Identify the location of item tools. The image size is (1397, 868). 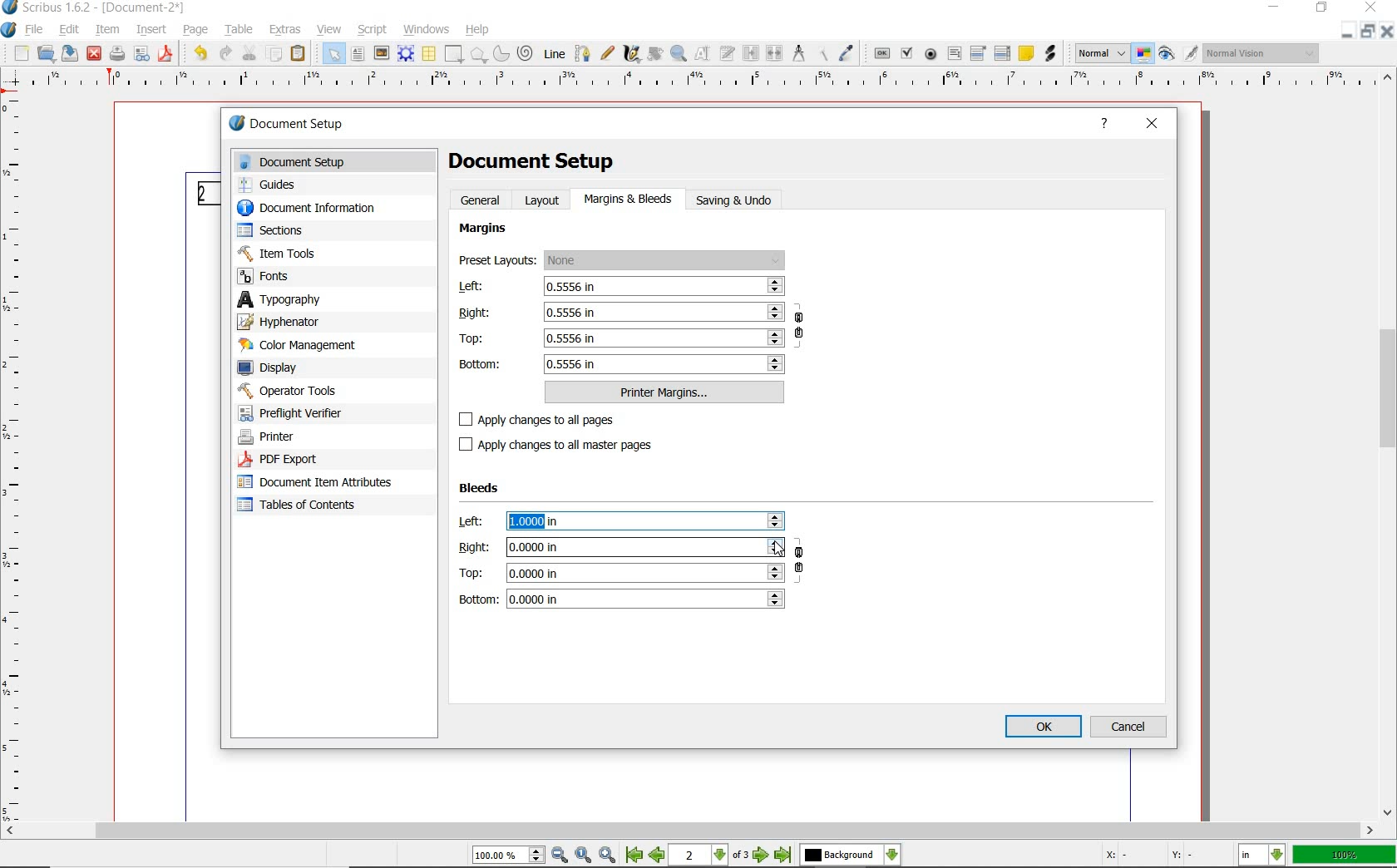
(280, 255).